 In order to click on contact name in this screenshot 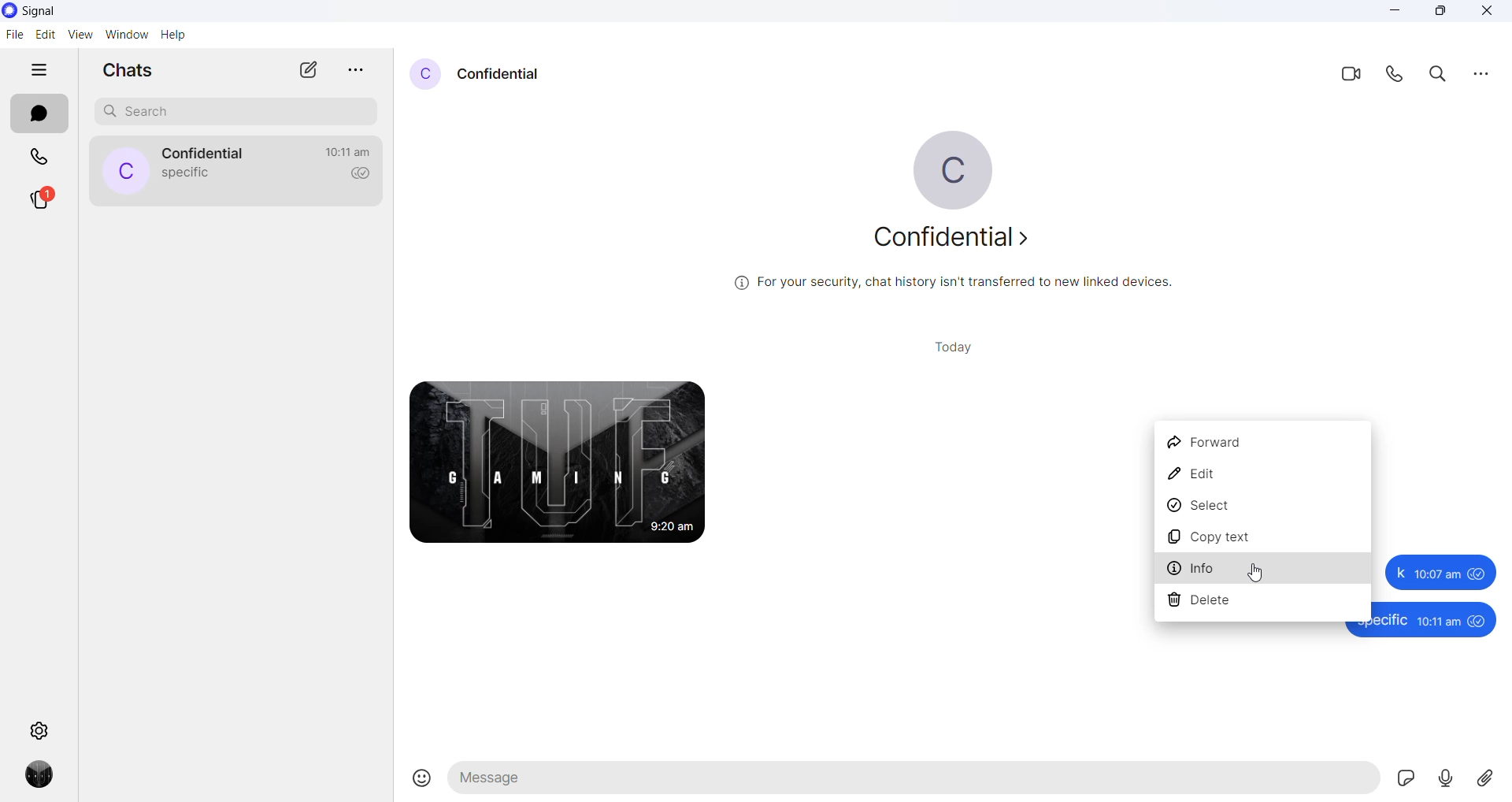, I will do `click(500, 76)`.